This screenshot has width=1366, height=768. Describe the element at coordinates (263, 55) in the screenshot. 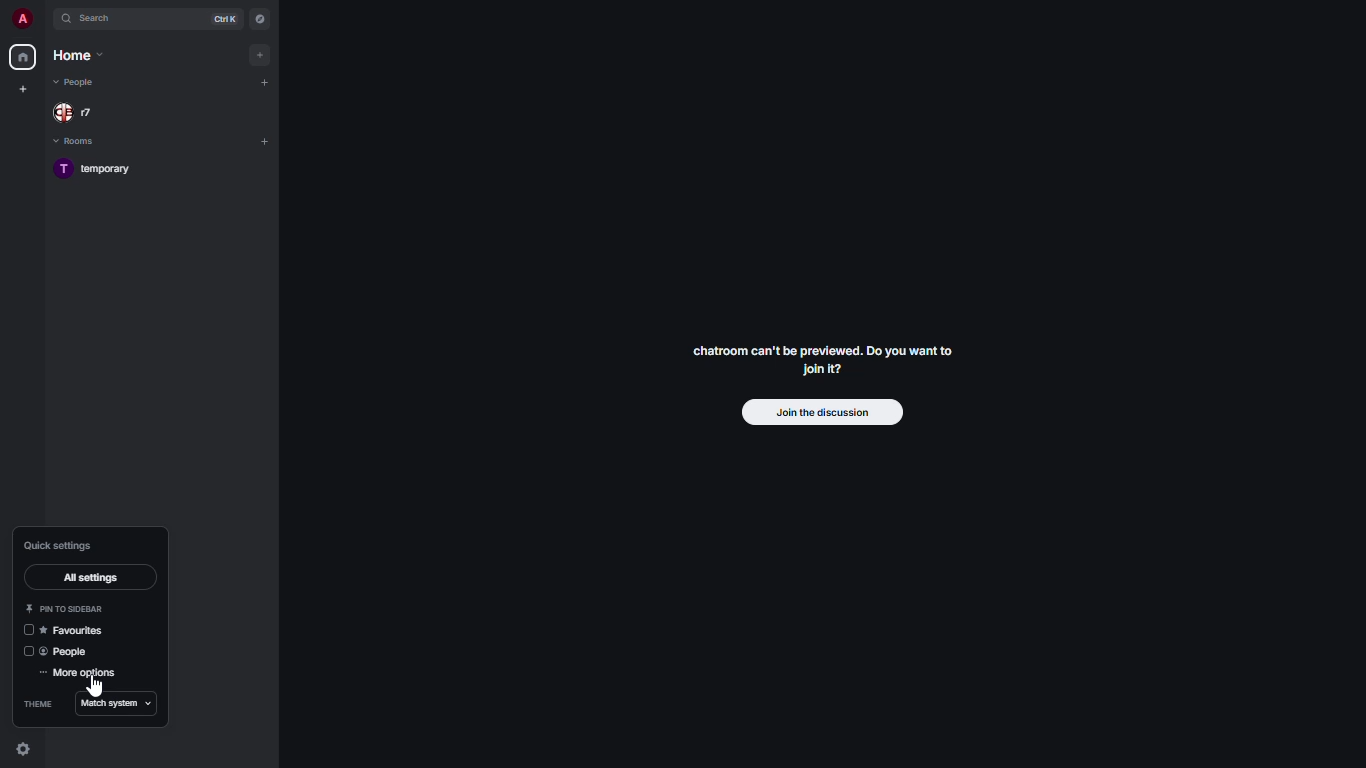

I see `add` at that location.